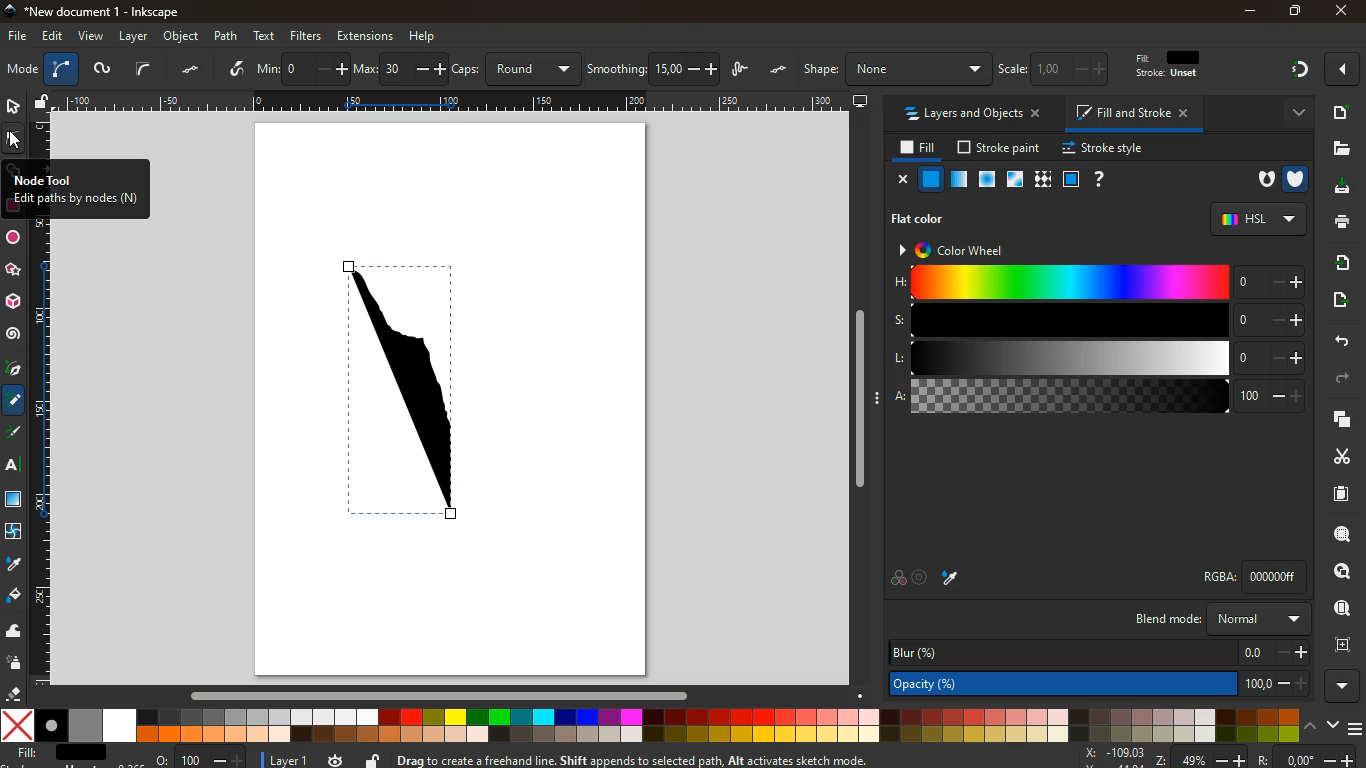 This screenshot has width=1366, height=768. What do you see at coordinates (779, 70) in the screenshot?
I see `lpe` at bounding box center [779, 70].